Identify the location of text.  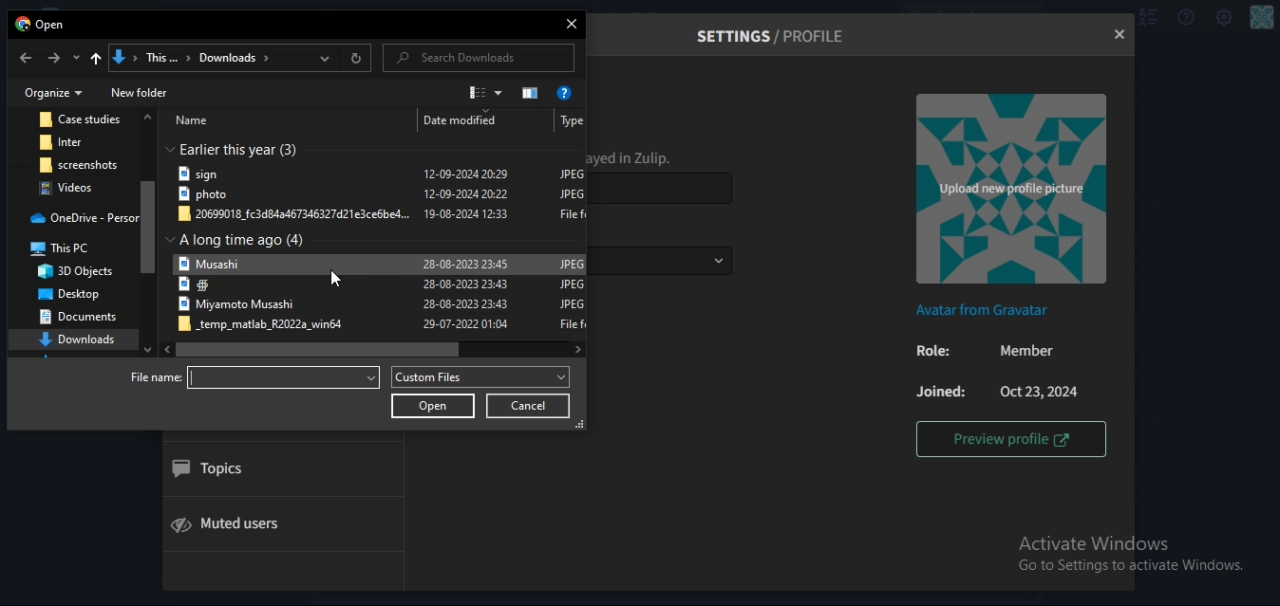
(42, 26).